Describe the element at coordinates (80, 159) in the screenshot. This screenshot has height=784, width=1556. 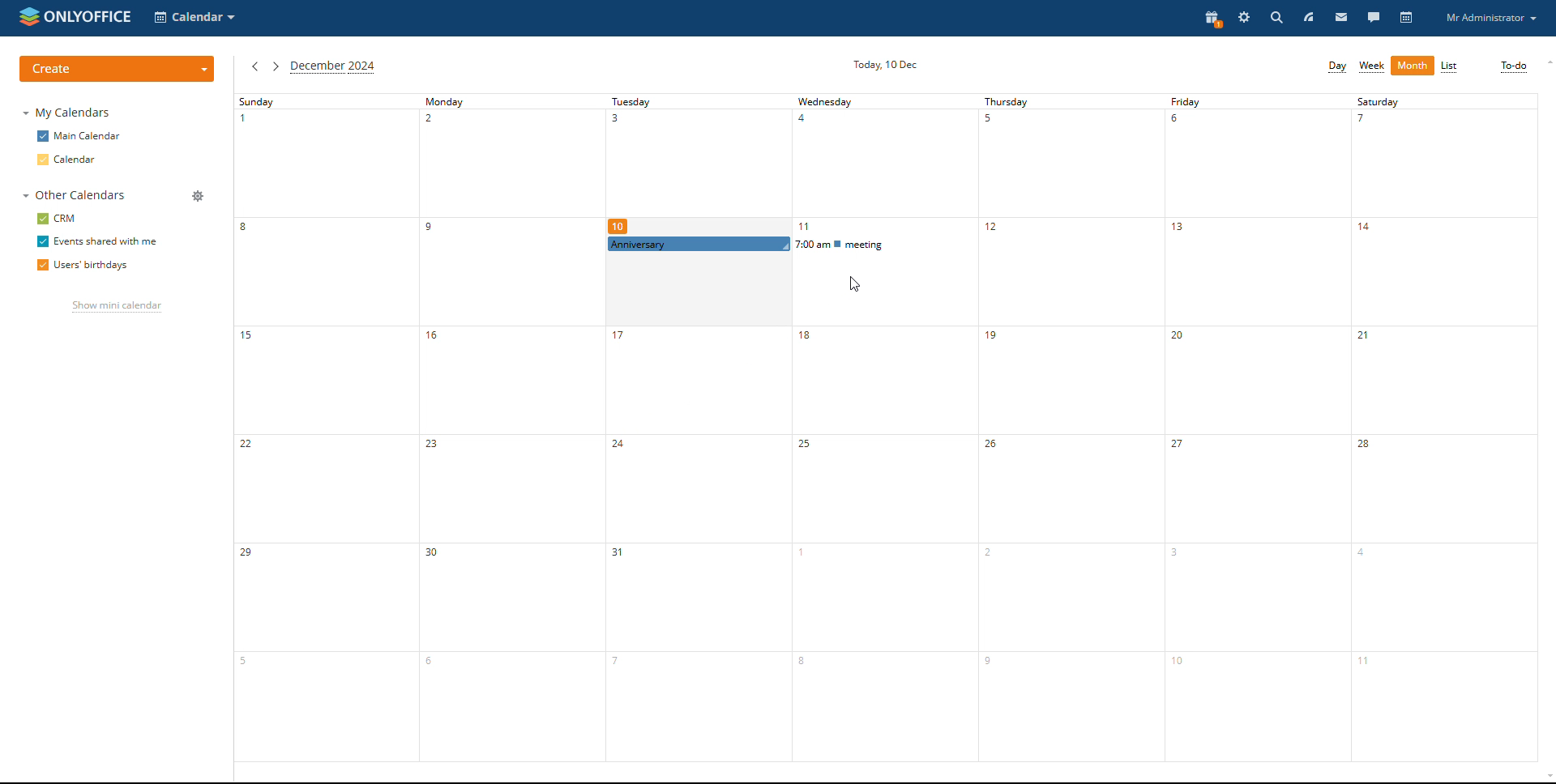
I see `calendar` at that location.